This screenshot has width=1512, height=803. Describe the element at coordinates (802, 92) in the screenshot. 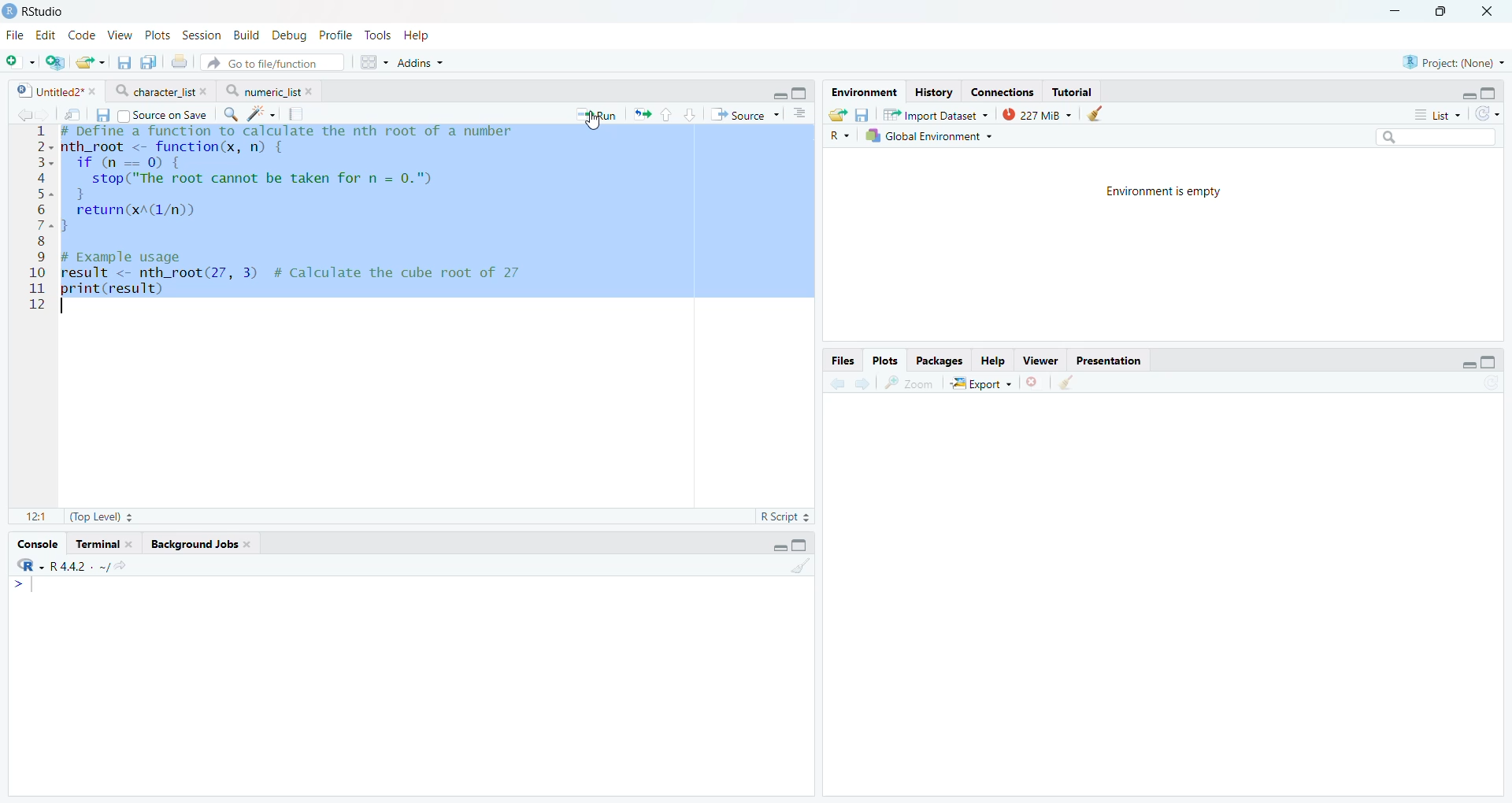

I see `Full Height` at that location.